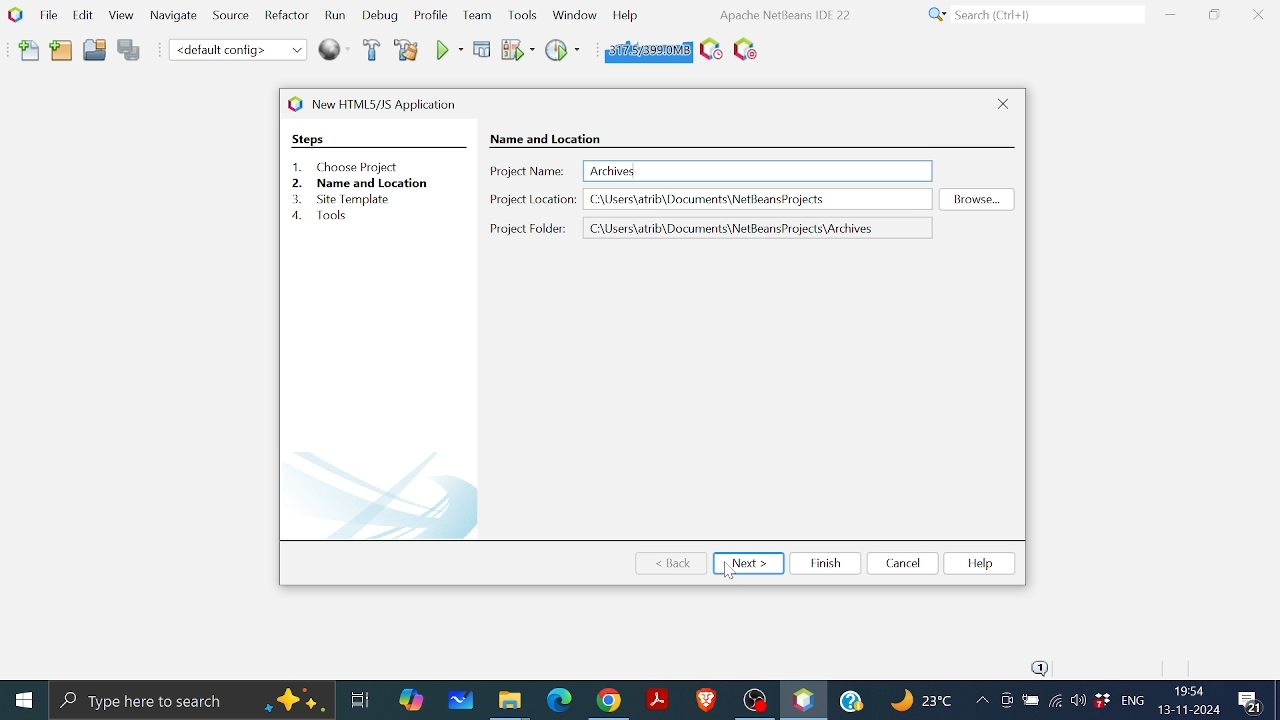 This screenshot has height=720, width=1280. What do you see at coordinates (1253, 702) in the screenshot?
I see `Comments` at bounding box center [1253, 702].